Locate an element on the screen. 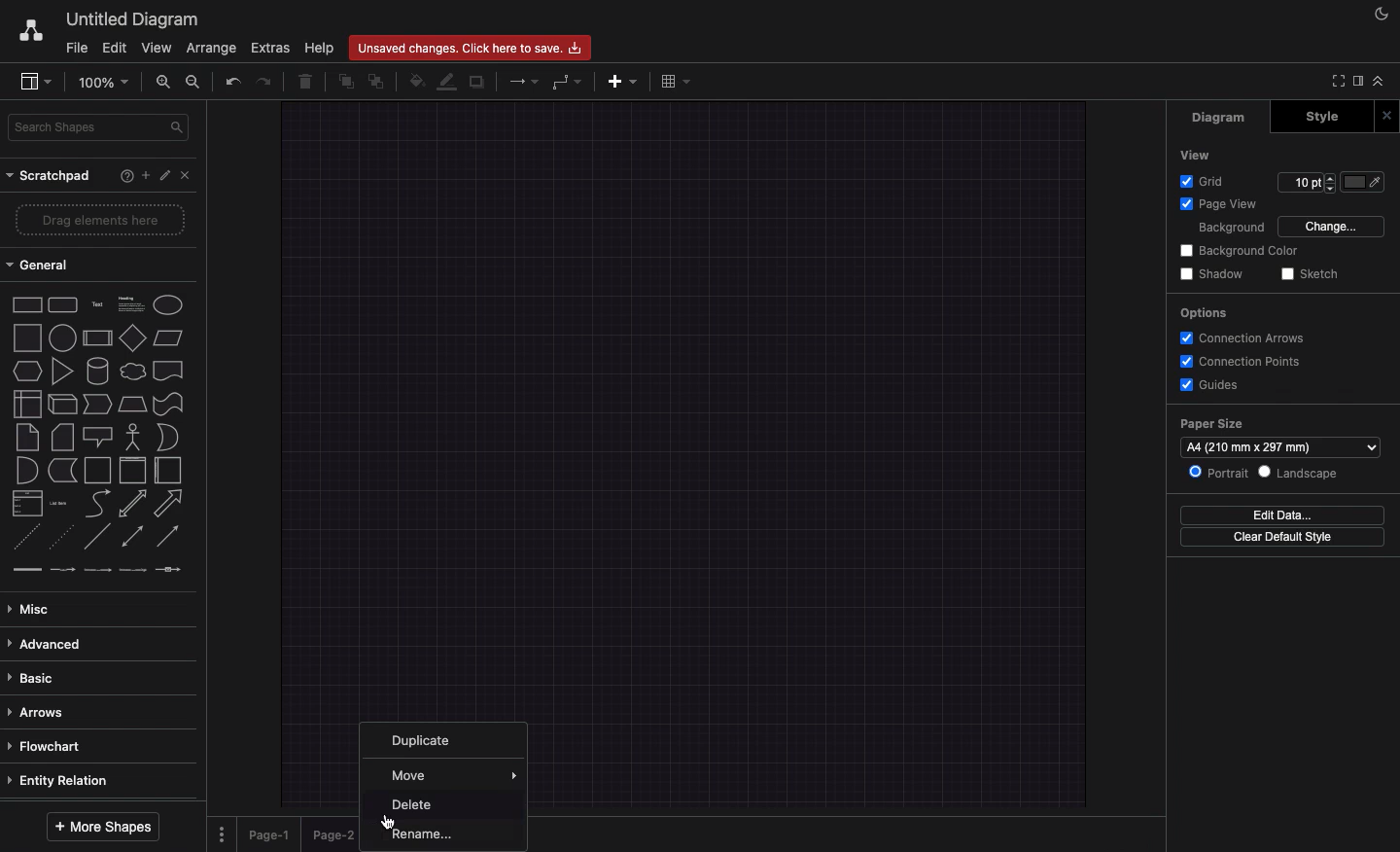 The width and height of the screenshot is (1400, 852). Arrows is located at coordinates (525, 83).